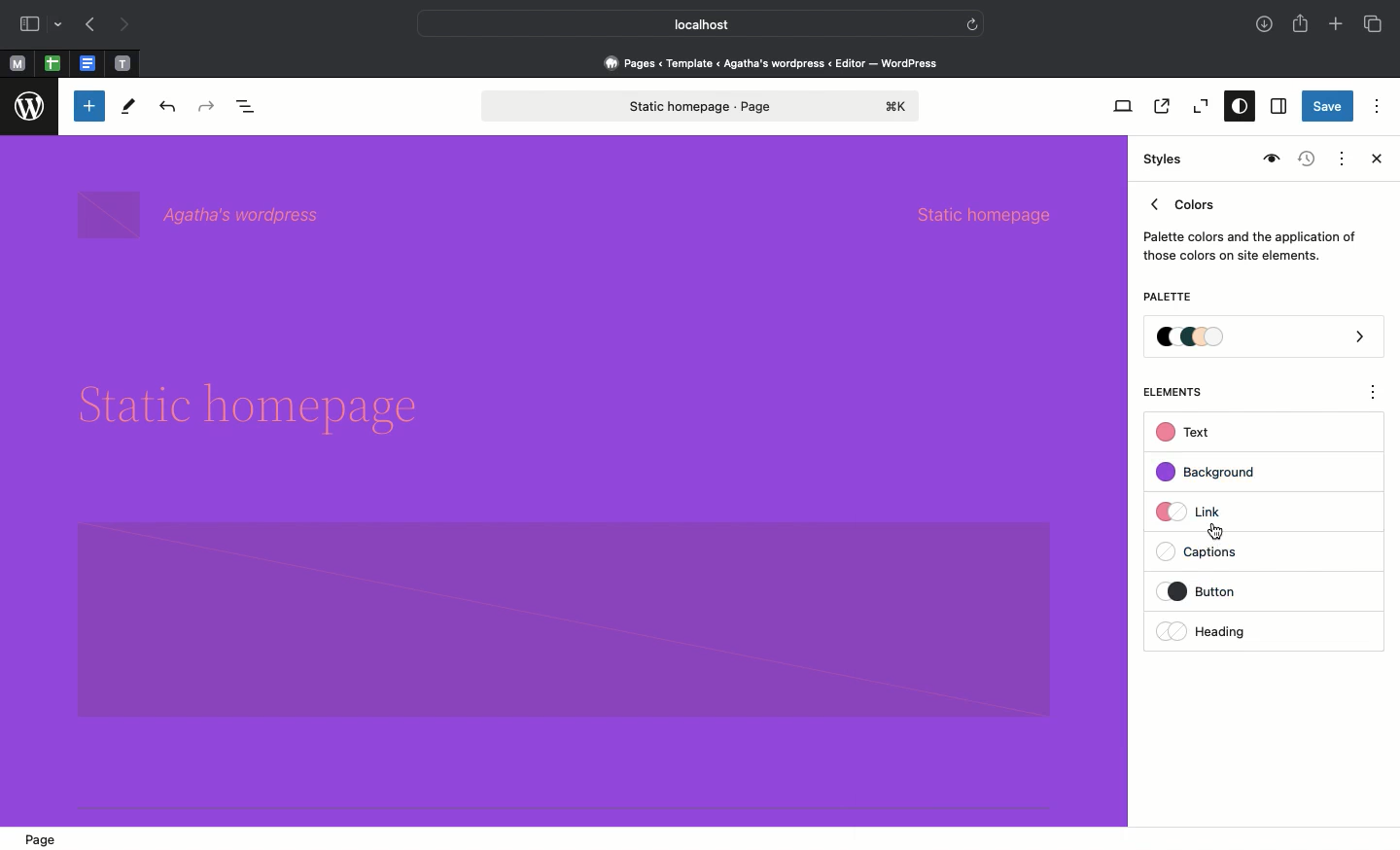  I want to click on Redo, so click(209, 107).